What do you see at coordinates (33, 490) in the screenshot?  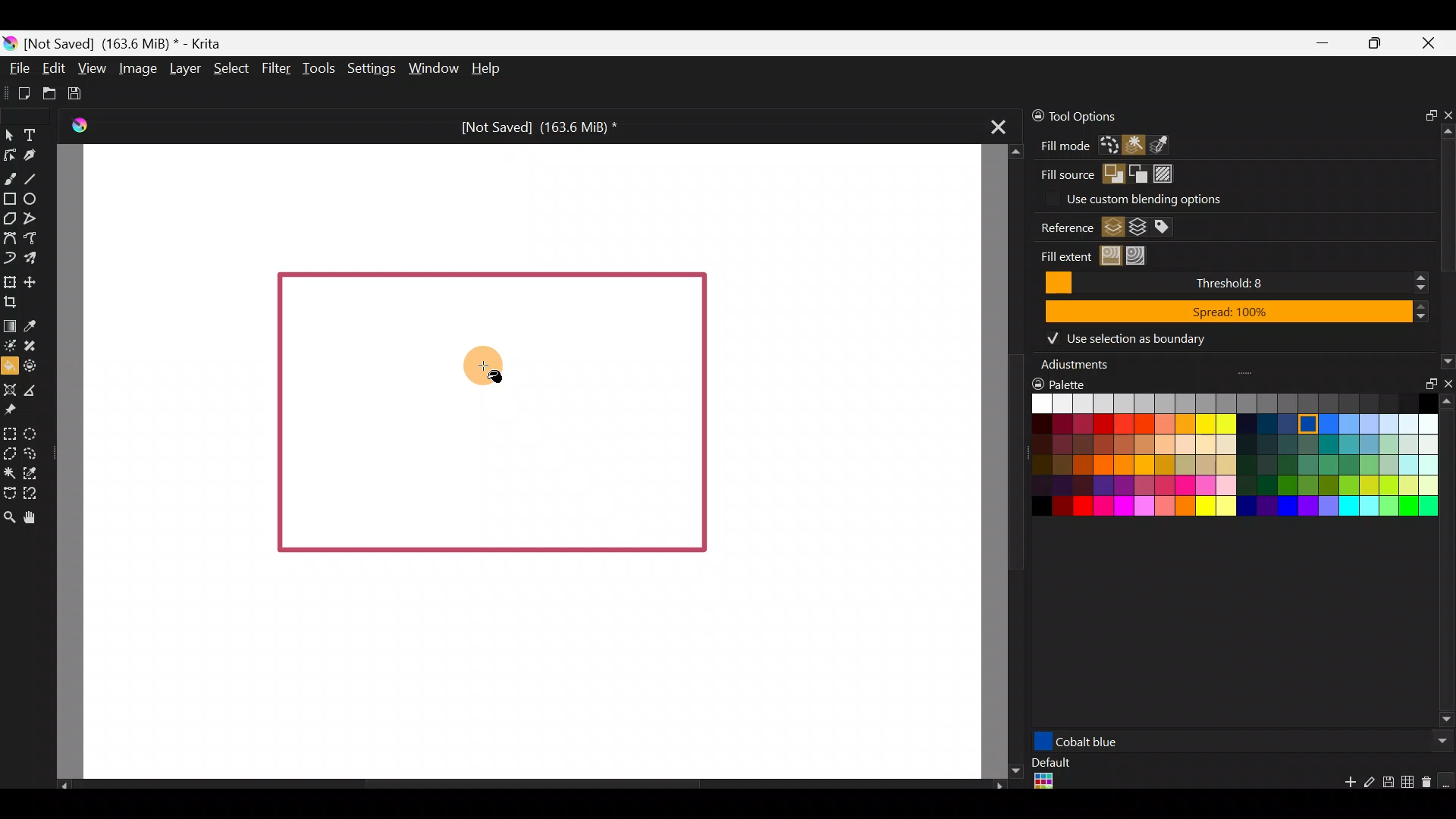 I see `Magnetic curve selection tool` at bounding box center [33, 490].